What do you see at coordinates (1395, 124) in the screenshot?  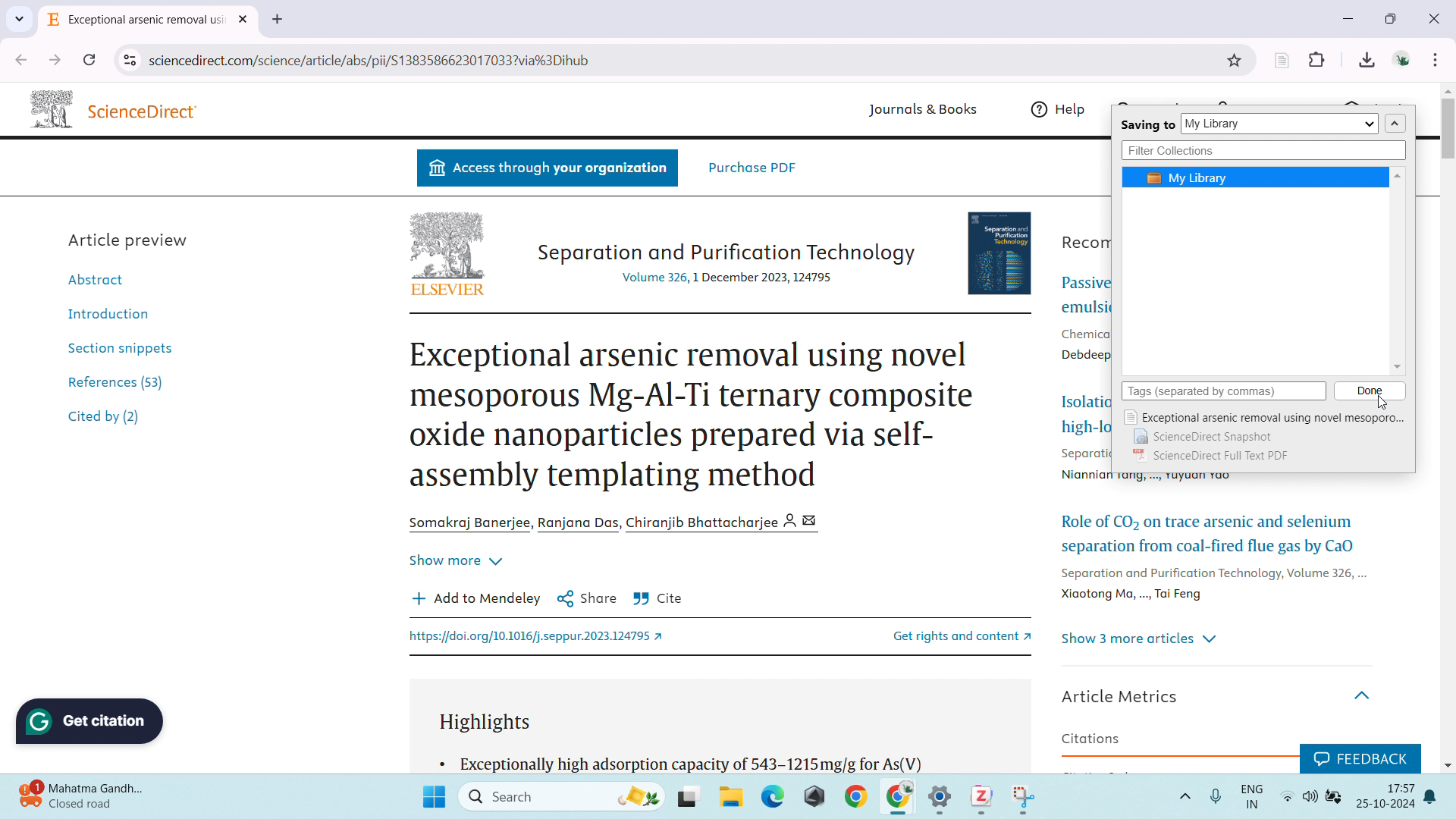 I see `collapse` at bounding box center [1395, 124].